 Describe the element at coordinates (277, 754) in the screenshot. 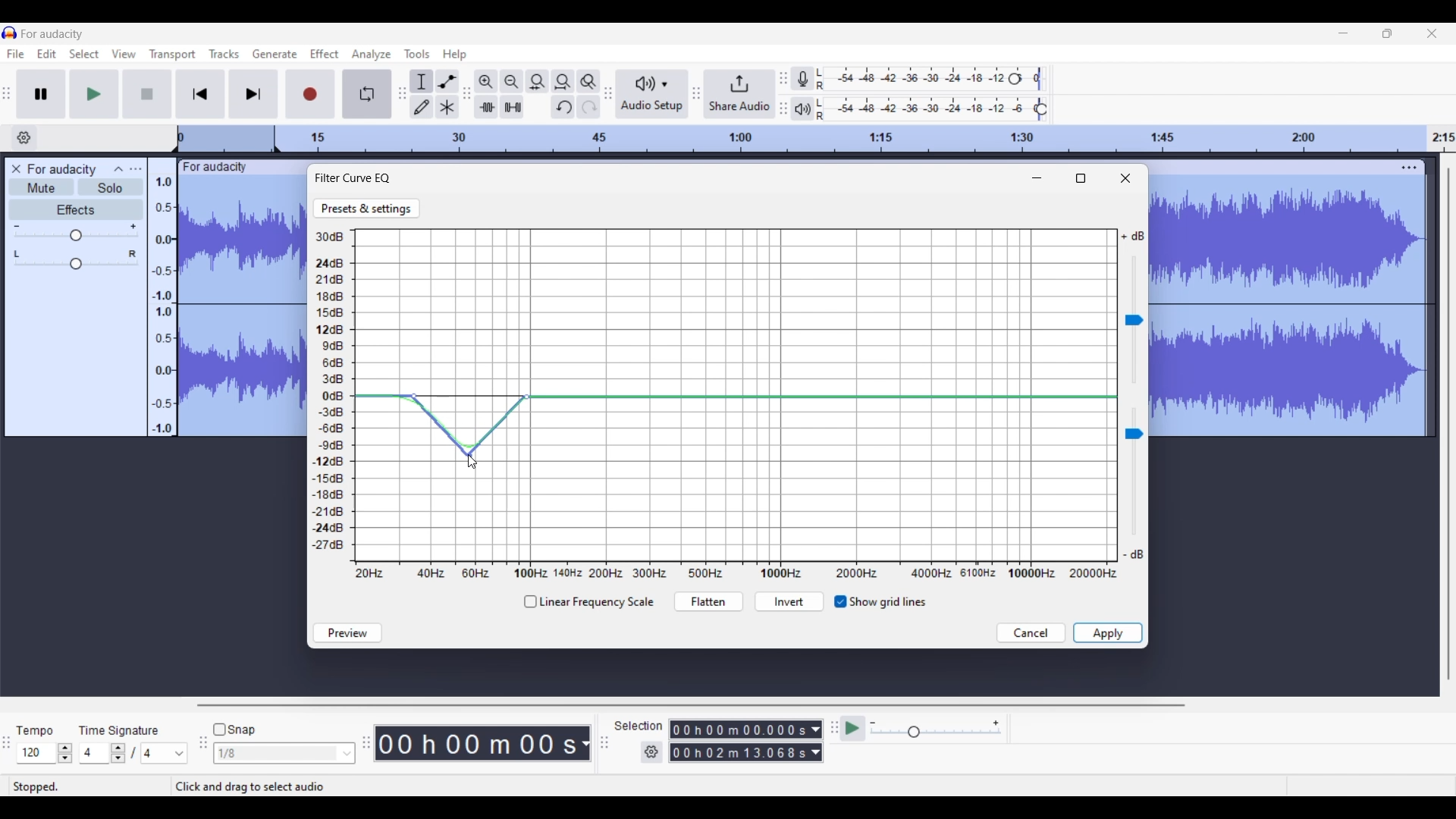

I see `Type in snap` at that location.